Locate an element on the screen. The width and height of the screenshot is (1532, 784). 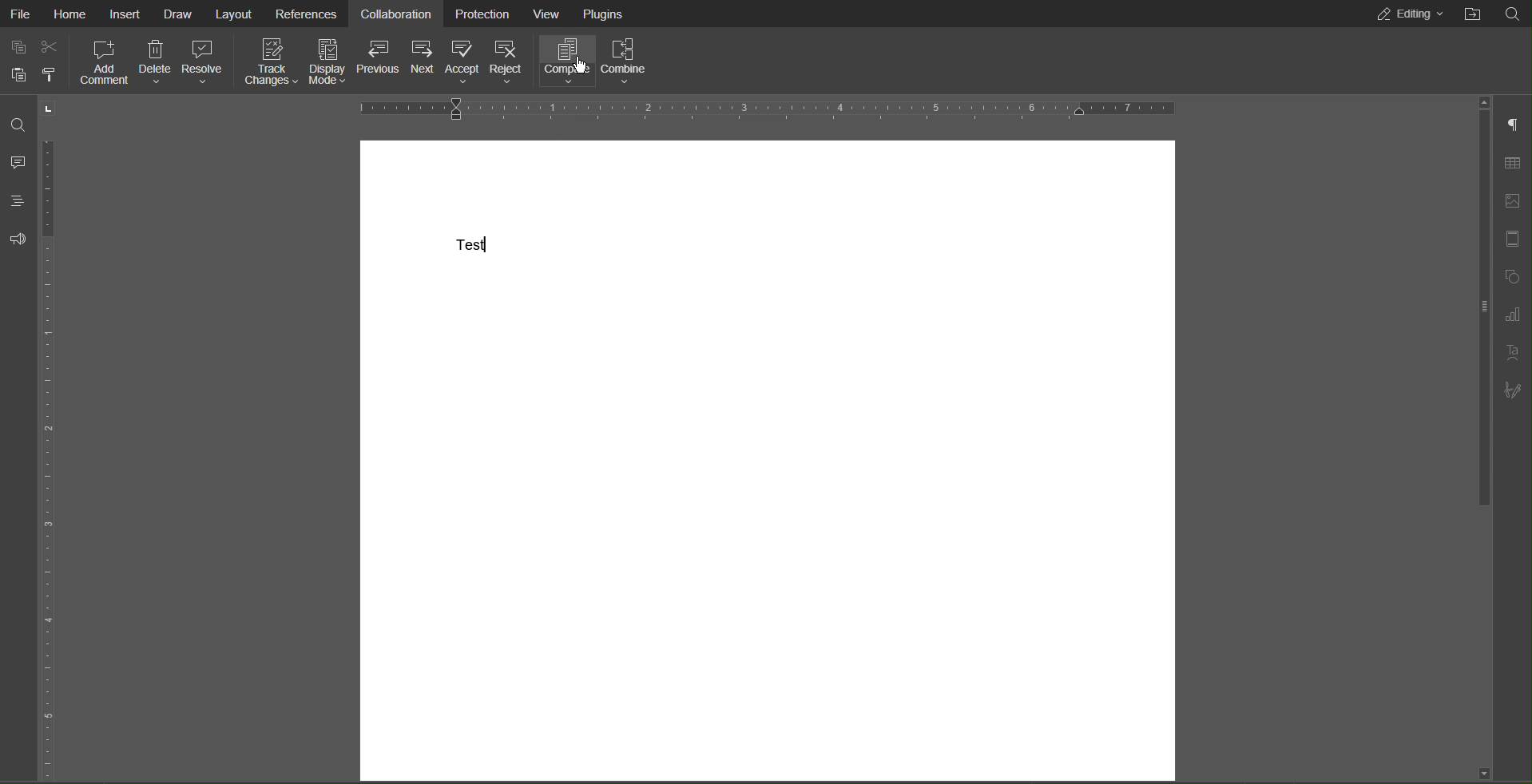
Table Settings is located at coordinates (1512, 164).